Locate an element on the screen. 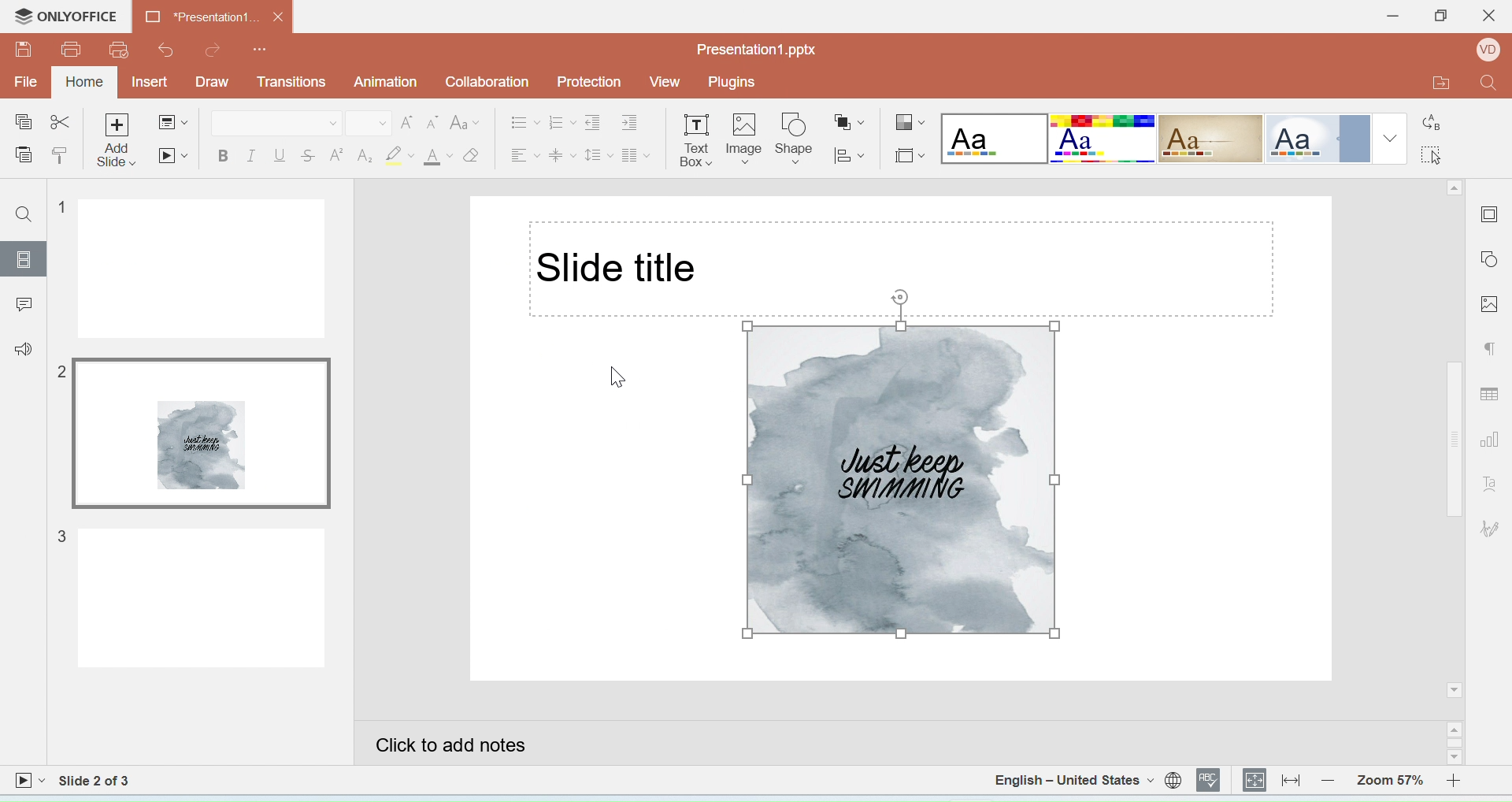  Scroll bar is located at coordinates (1455, 440).